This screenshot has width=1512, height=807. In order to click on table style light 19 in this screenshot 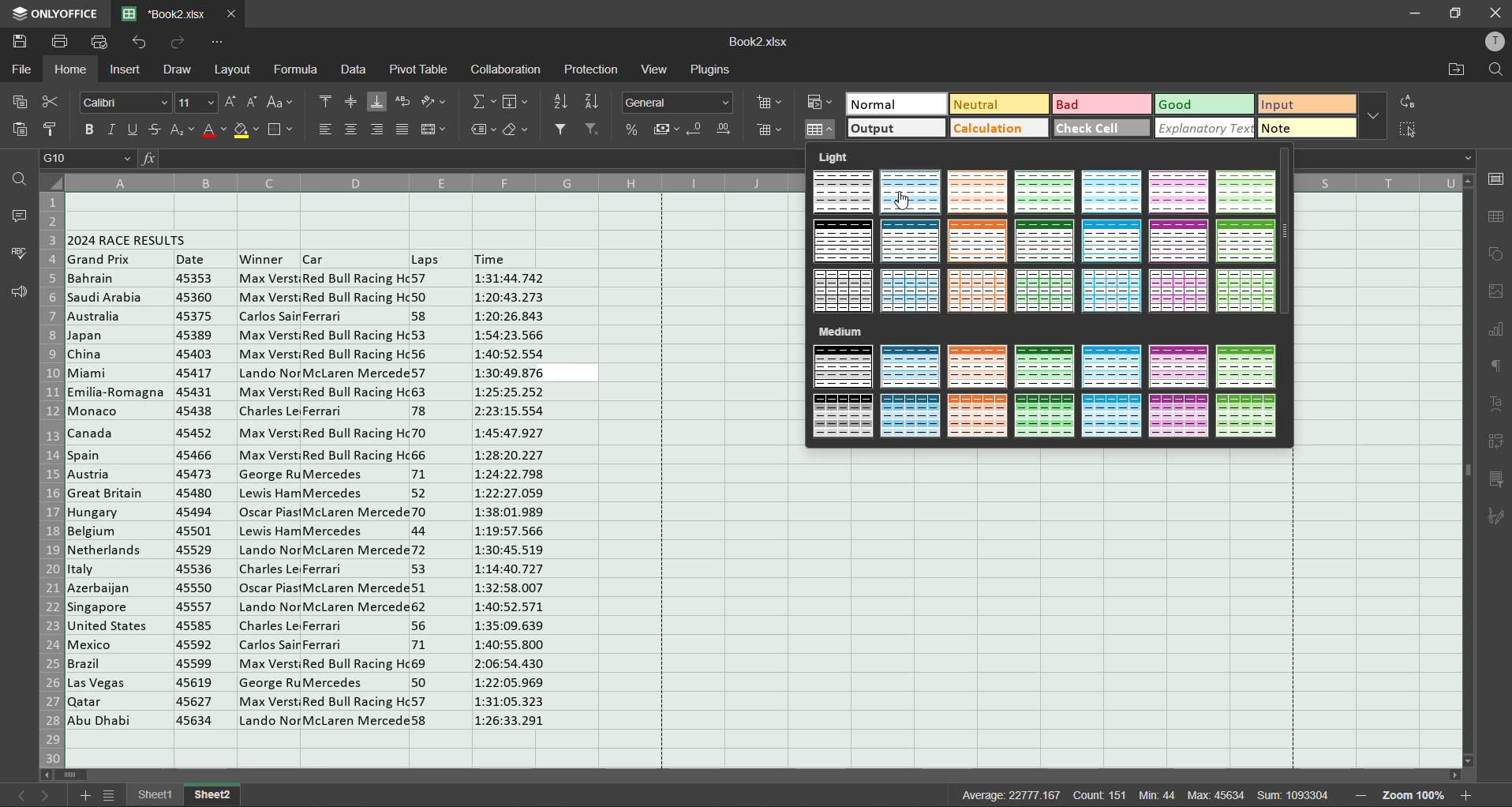, I will do `click(1111, 291)`.